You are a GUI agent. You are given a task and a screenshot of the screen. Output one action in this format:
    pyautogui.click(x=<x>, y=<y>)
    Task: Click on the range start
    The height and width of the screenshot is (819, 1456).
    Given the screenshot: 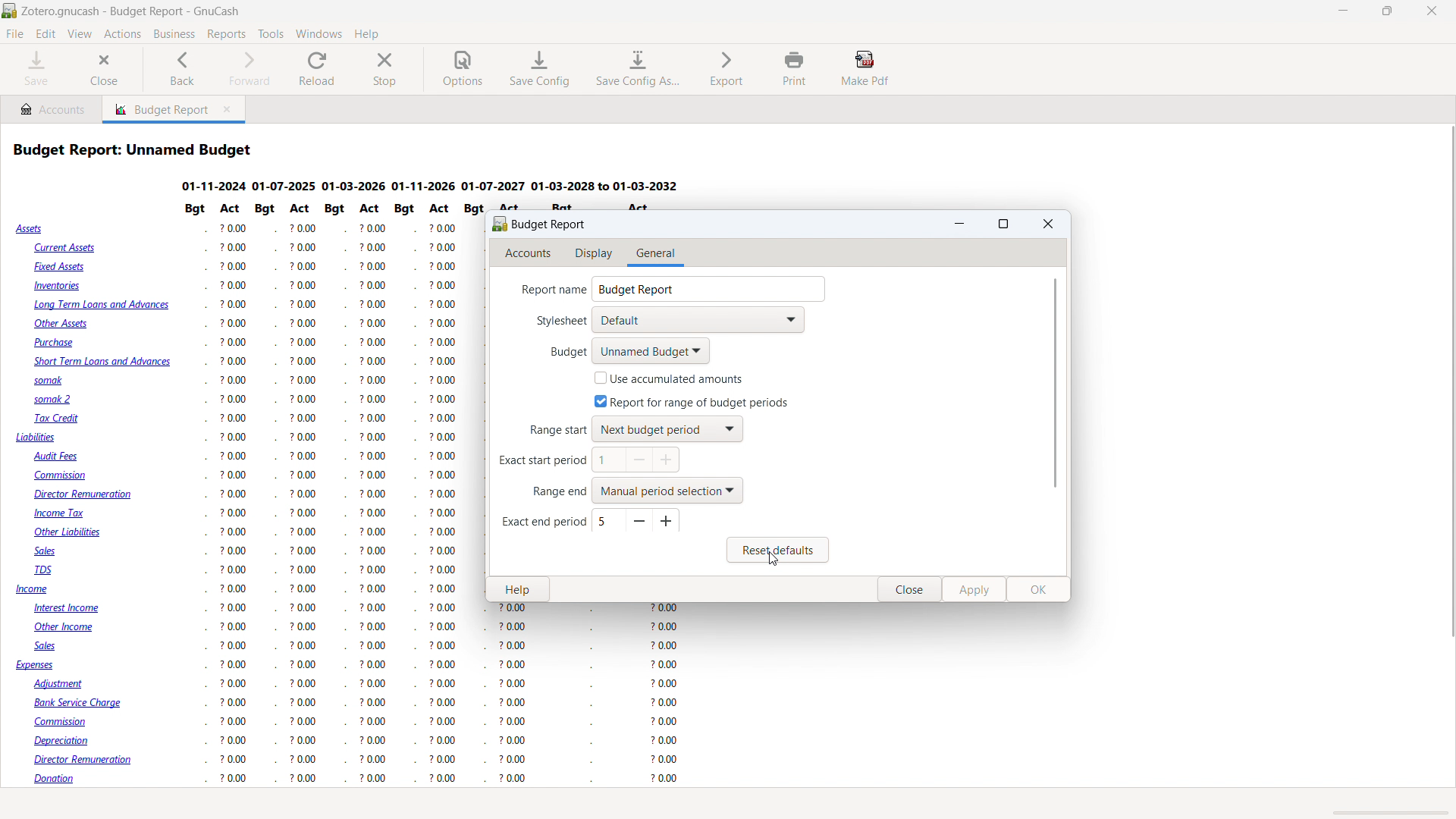 What is the action you would take?
    pyautogui.click(x=667, y=429)
    